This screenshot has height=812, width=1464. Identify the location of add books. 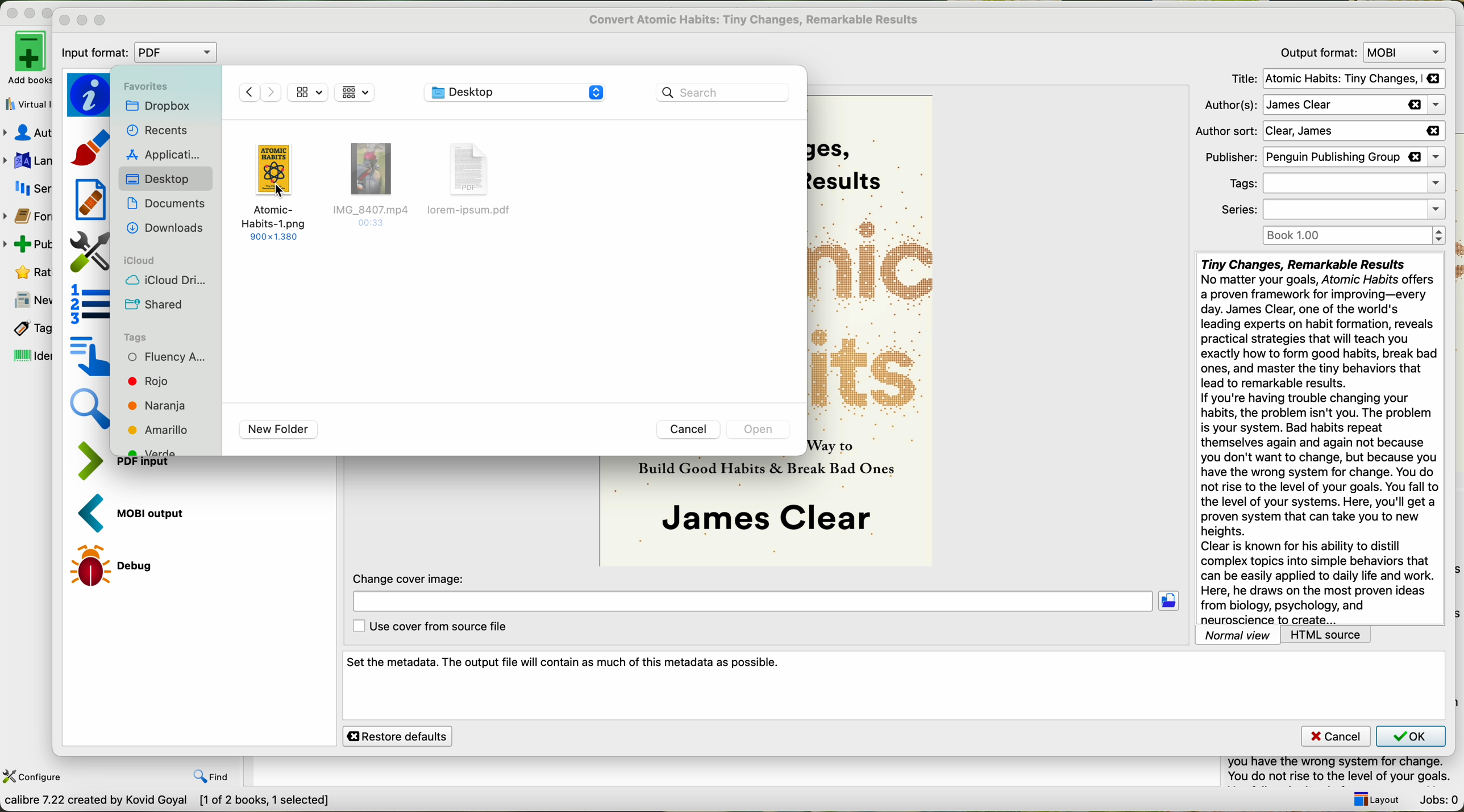
(26, 57).